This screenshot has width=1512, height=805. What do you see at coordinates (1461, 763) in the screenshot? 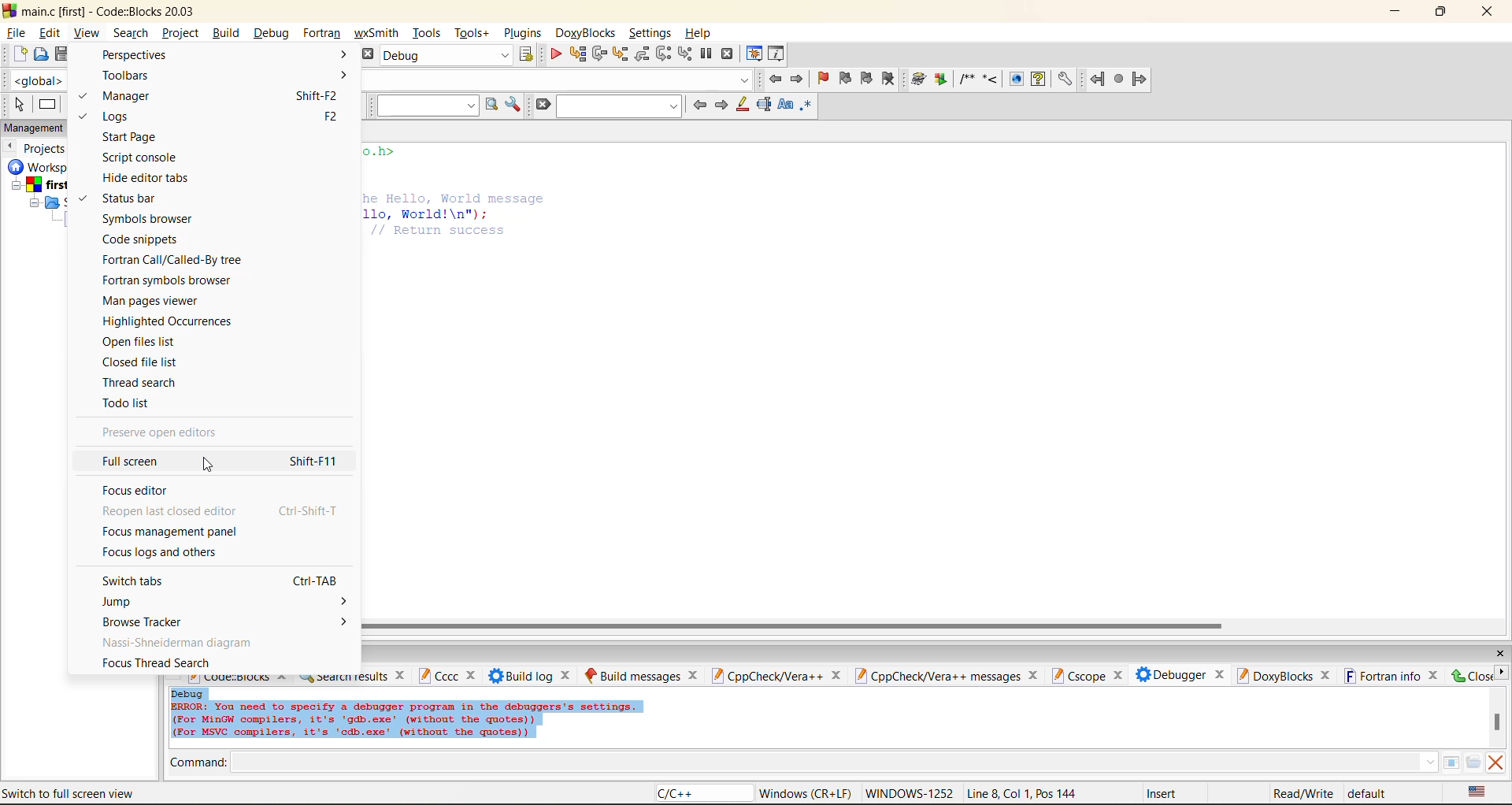
I see `Command tools` at bounding box center [1461, 763].